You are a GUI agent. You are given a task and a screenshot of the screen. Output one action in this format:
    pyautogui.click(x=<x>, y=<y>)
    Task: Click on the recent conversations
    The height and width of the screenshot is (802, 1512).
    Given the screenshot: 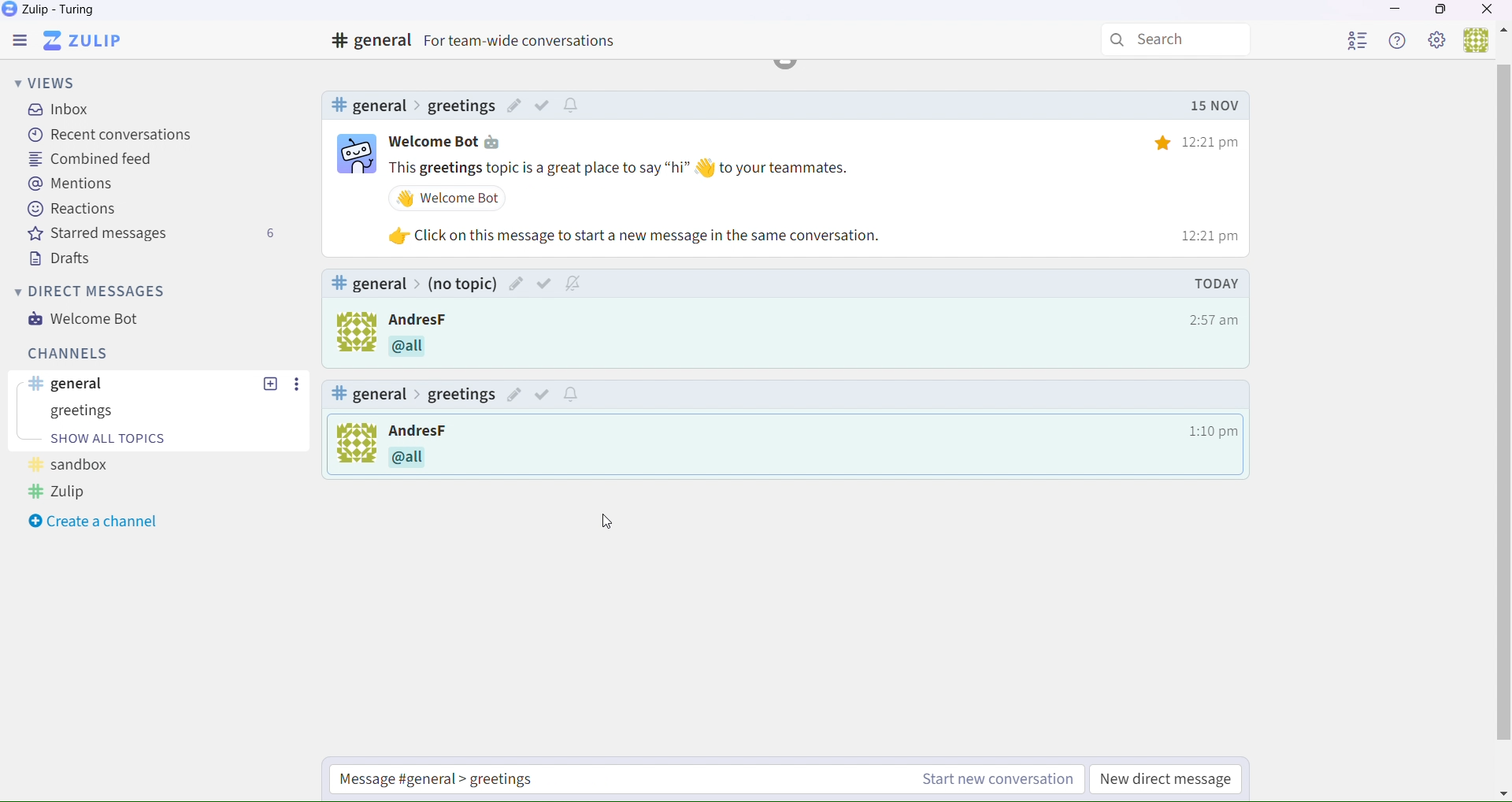 What is the action you would take?
    pyautogui.click(x=110, y=135)
    